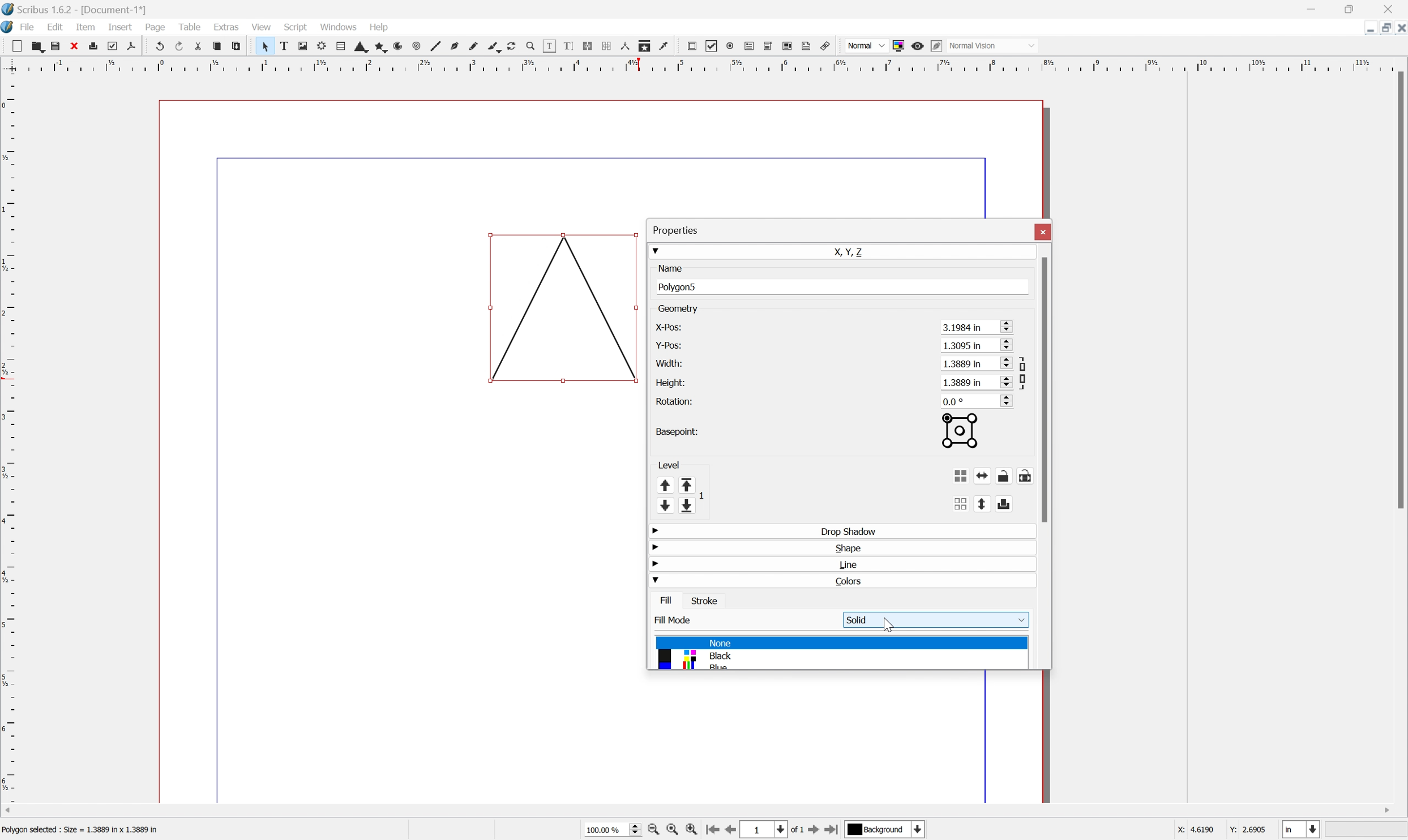 The width and height of the screenshot is (1408, 840). Describe the element at coordinates (1354, 8) in the screenshot. I see `Restore Down` at that location.